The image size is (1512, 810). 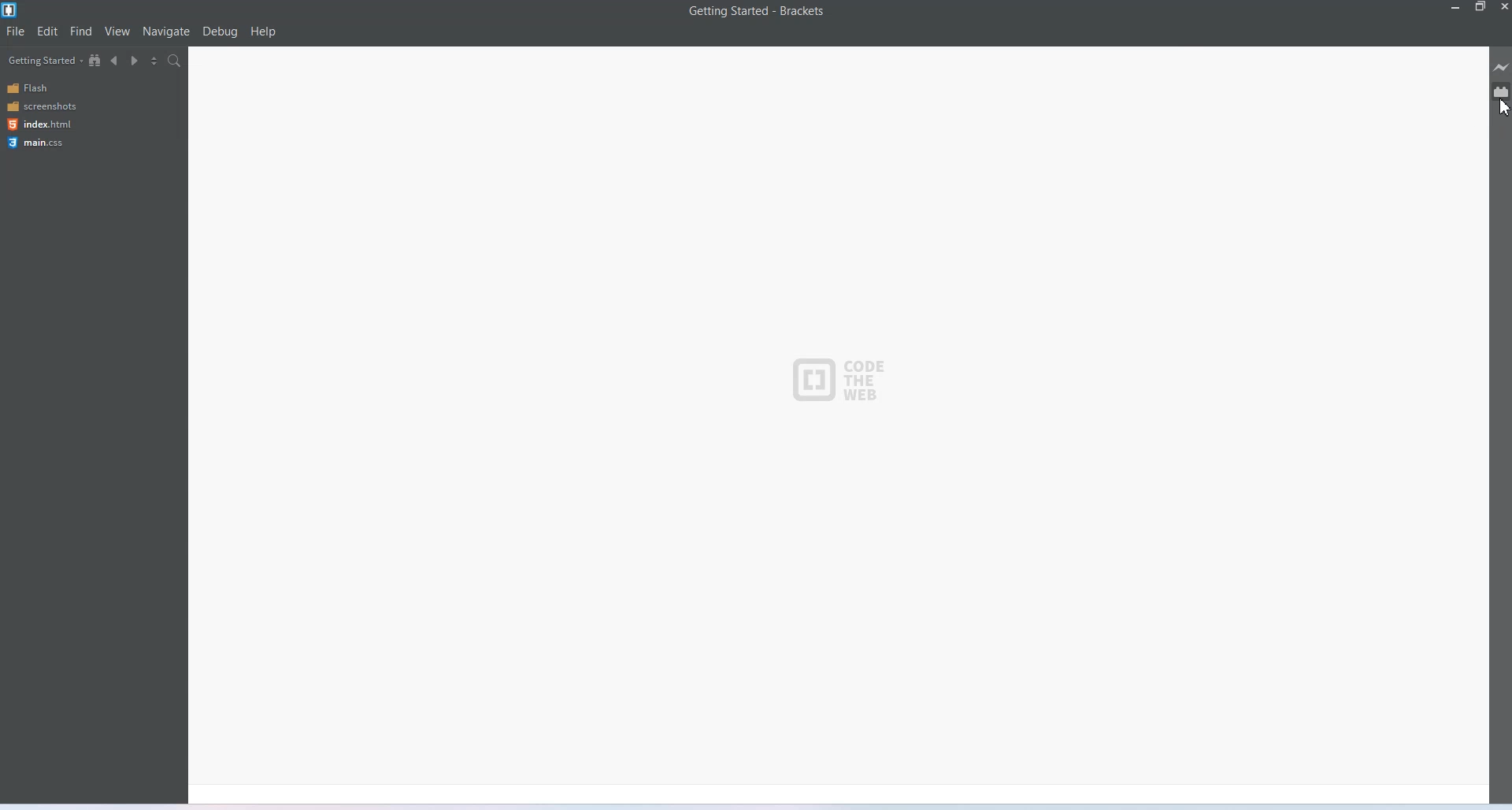 What do you see at coordinates (116, 60) in the screenshot?
I see `Navigate backward` at bounding box center [116, 60].